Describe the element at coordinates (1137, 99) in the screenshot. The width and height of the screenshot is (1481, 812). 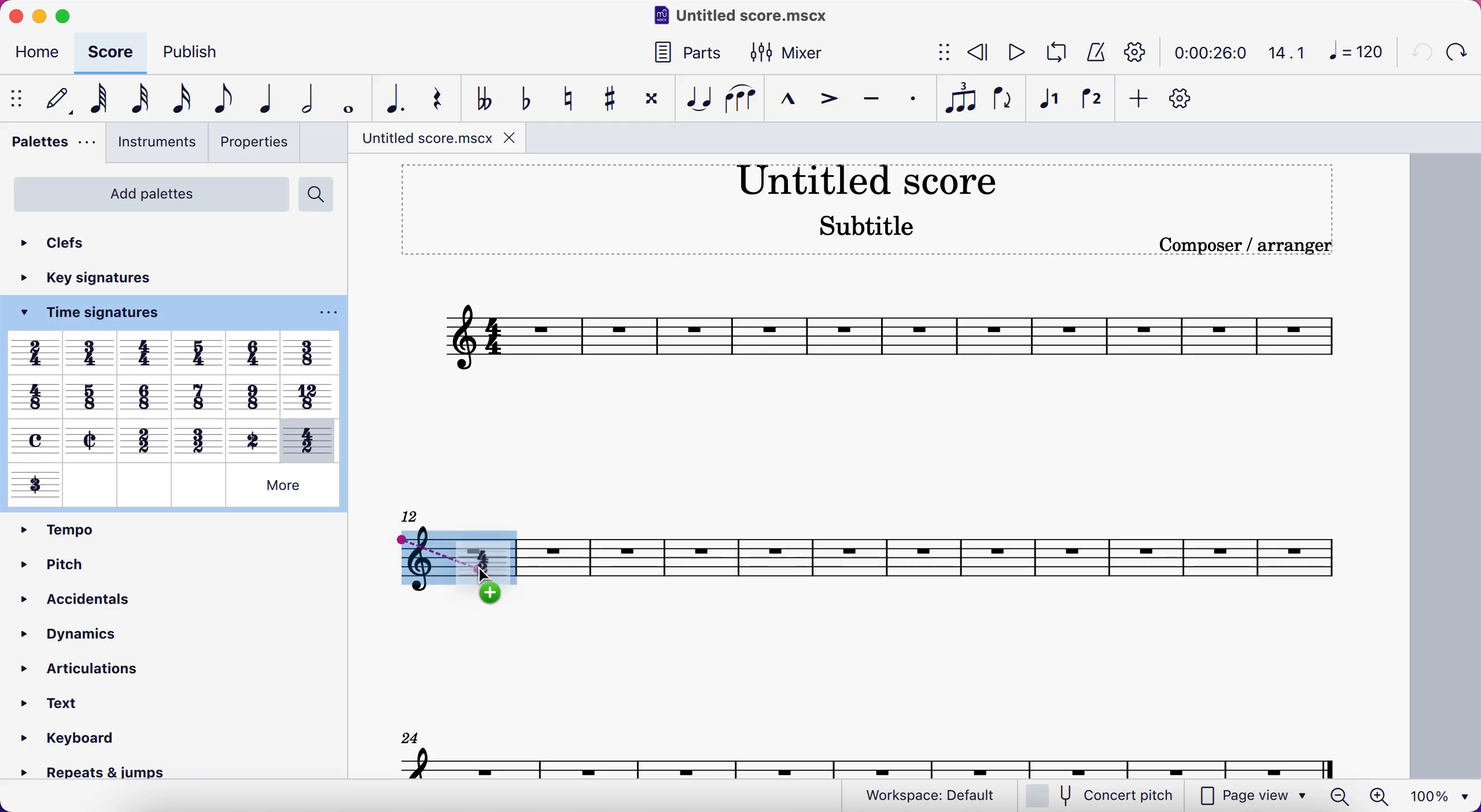
I see `add` at that location.